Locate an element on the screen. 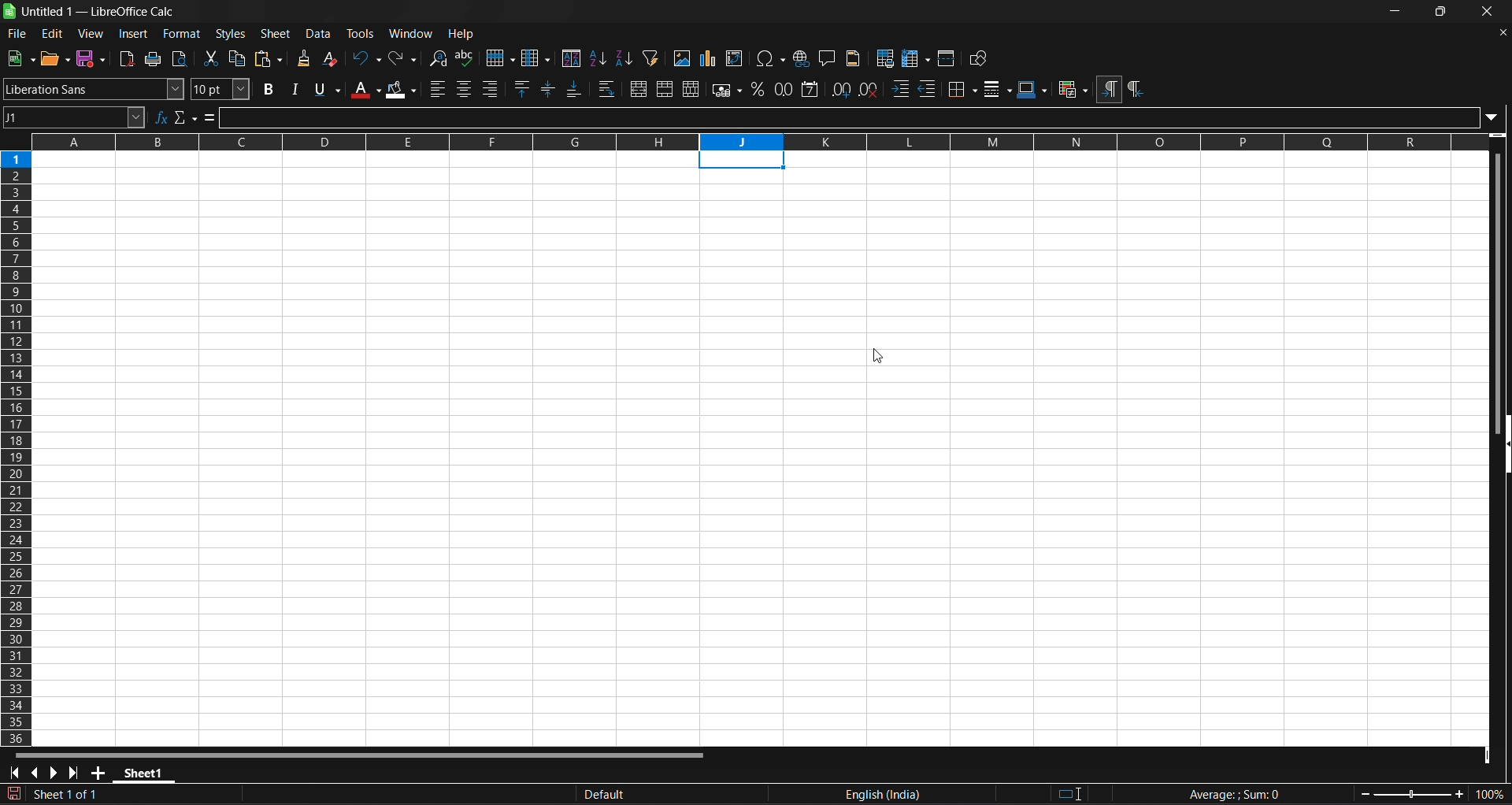  print is located at coordinates (154, 59).